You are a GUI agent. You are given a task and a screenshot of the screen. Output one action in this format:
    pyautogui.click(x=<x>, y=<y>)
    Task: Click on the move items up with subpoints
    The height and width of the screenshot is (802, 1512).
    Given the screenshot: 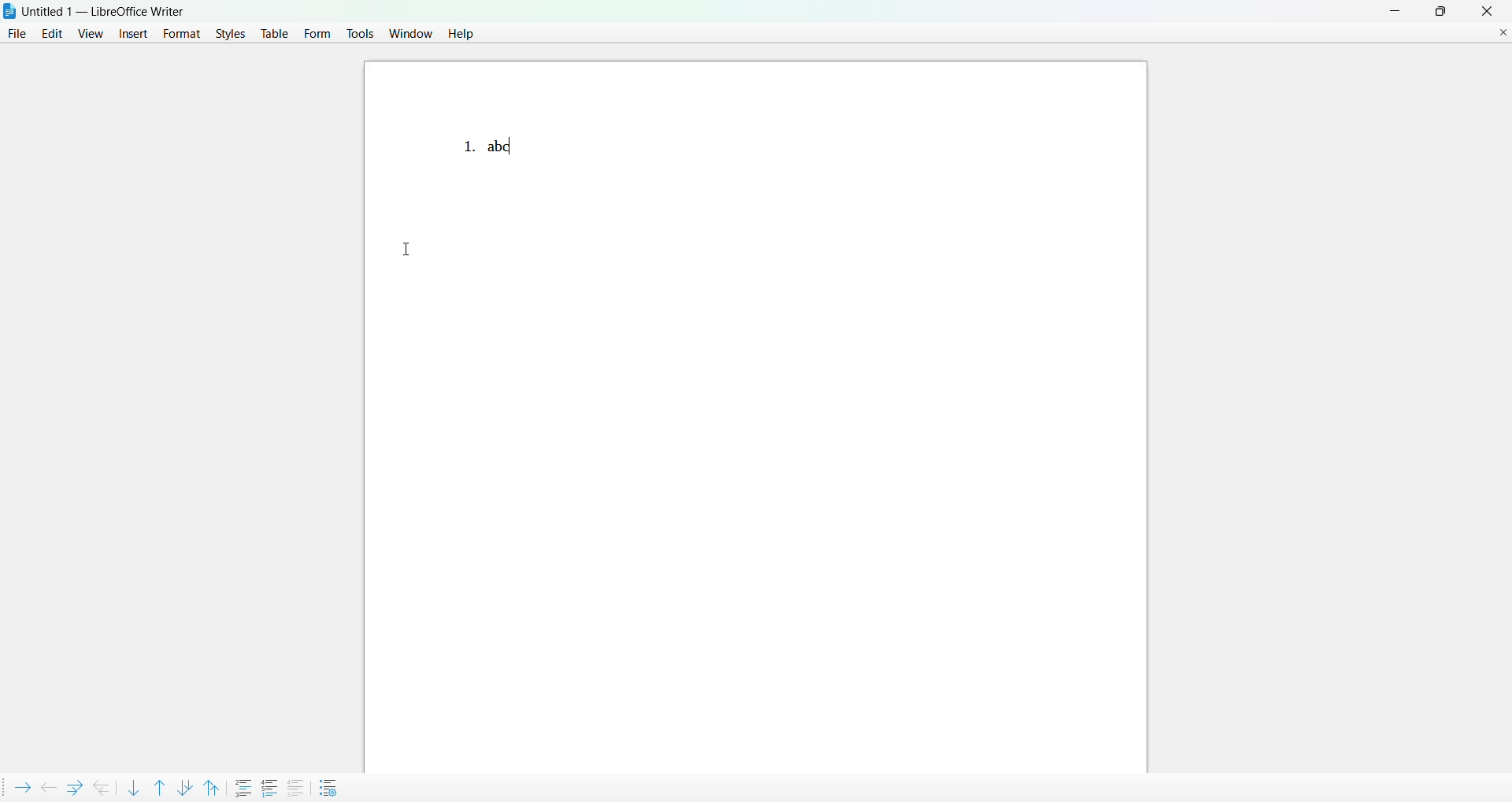 What is the action you would take?
    pyautogui.click(x=216, y=786)
    